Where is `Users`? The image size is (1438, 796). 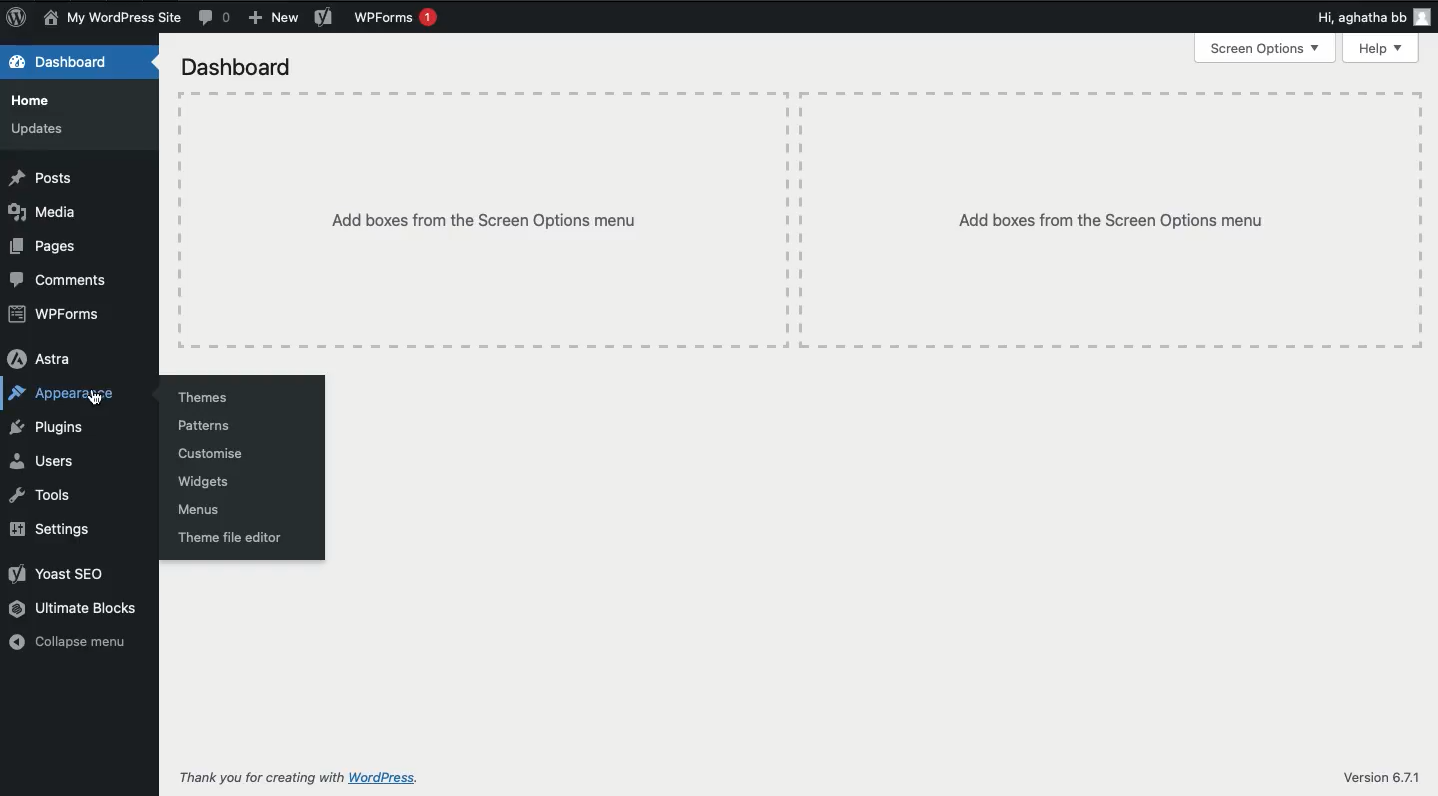
Users is located at coordinates (41, 462).